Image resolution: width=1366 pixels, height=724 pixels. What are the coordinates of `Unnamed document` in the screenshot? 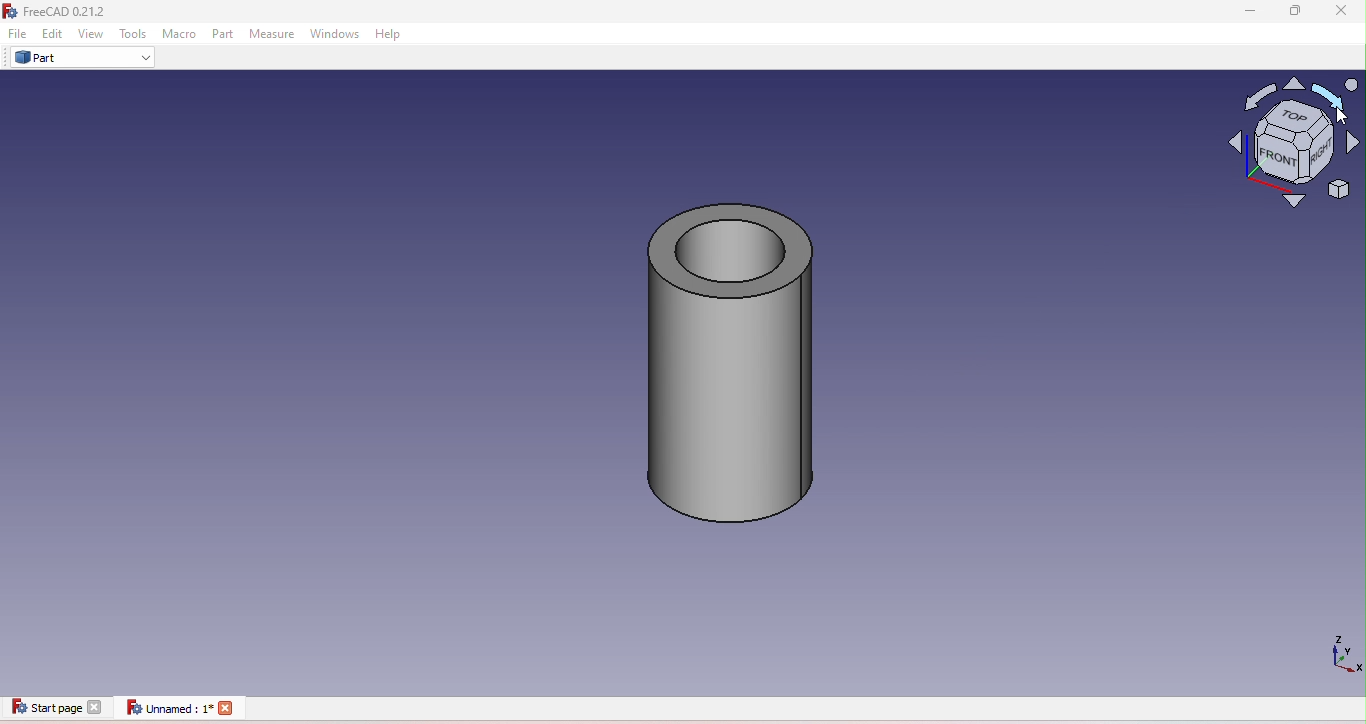 It's located at (178, 709).